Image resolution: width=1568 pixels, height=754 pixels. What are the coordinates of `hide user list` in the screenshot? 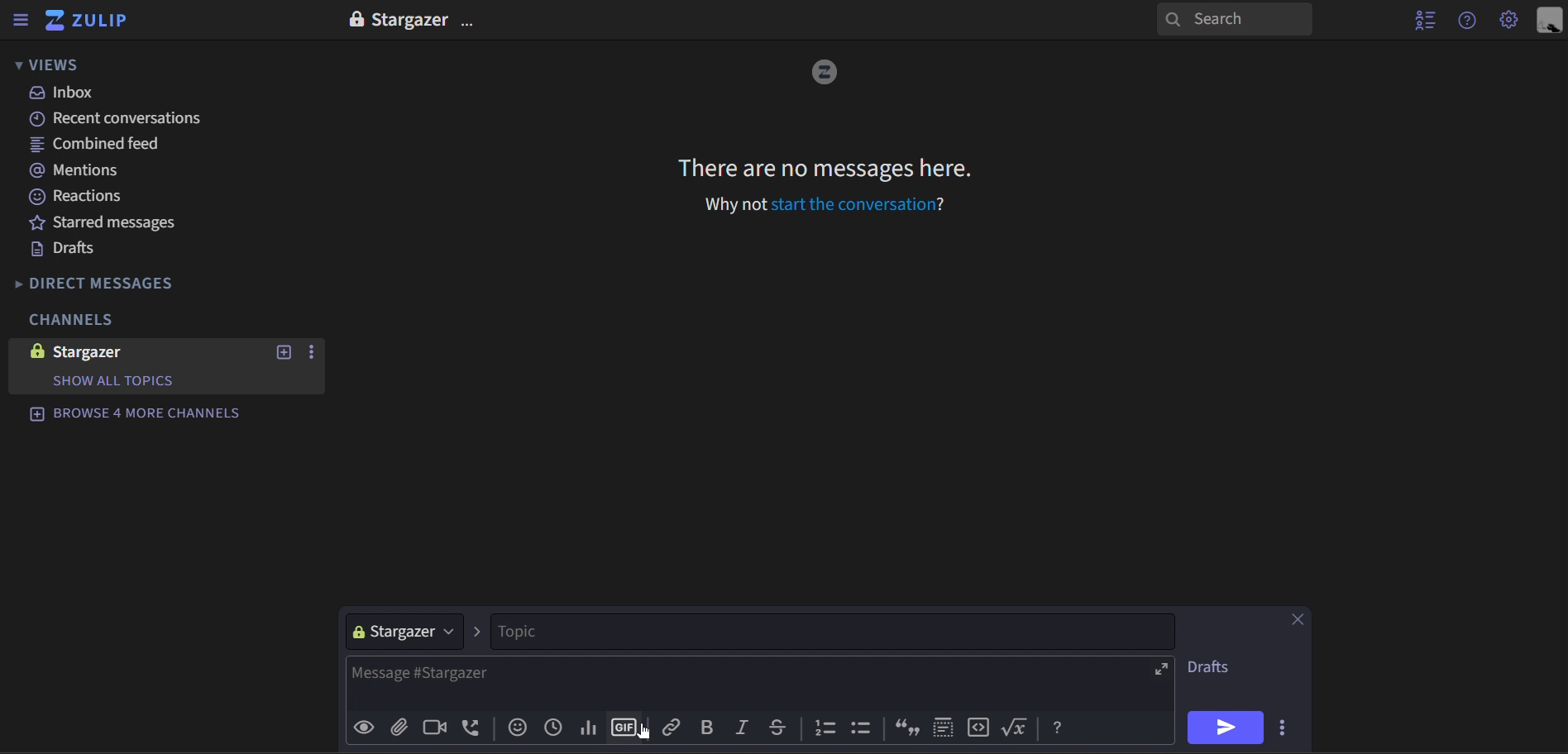 It's located at (1422, 20).